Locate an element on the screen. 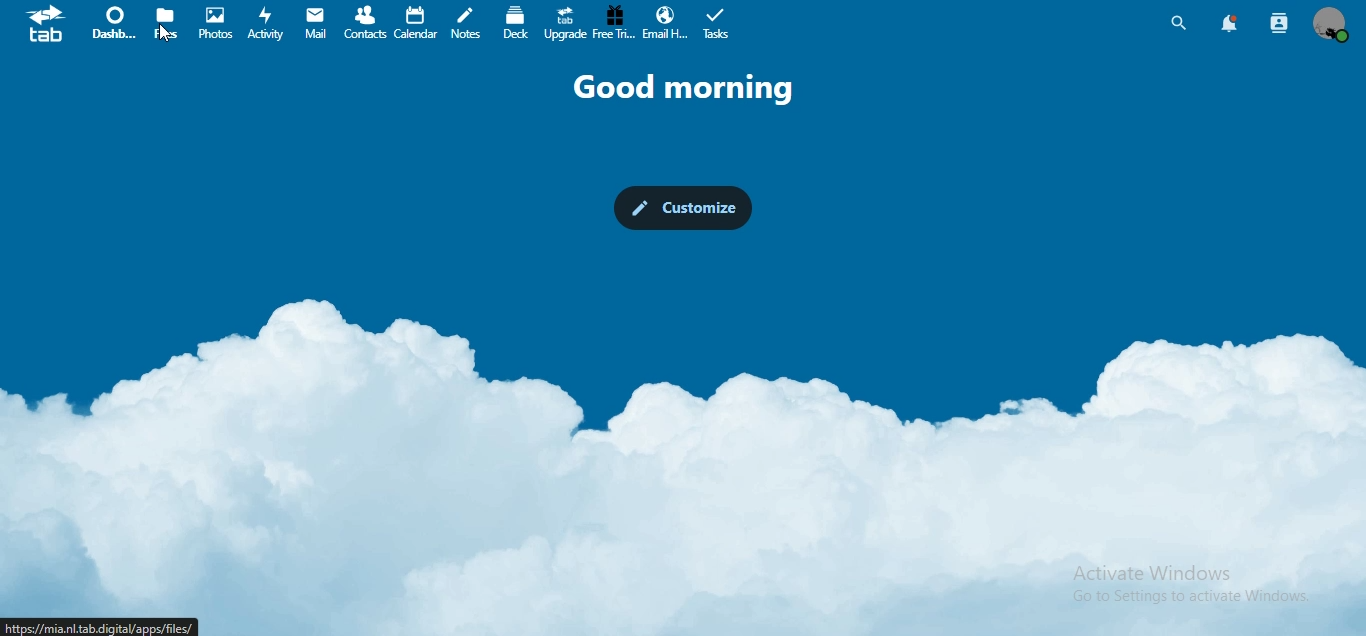 This screenshot has width=1366, height=636. contacts is located at coordinates (363, 23).